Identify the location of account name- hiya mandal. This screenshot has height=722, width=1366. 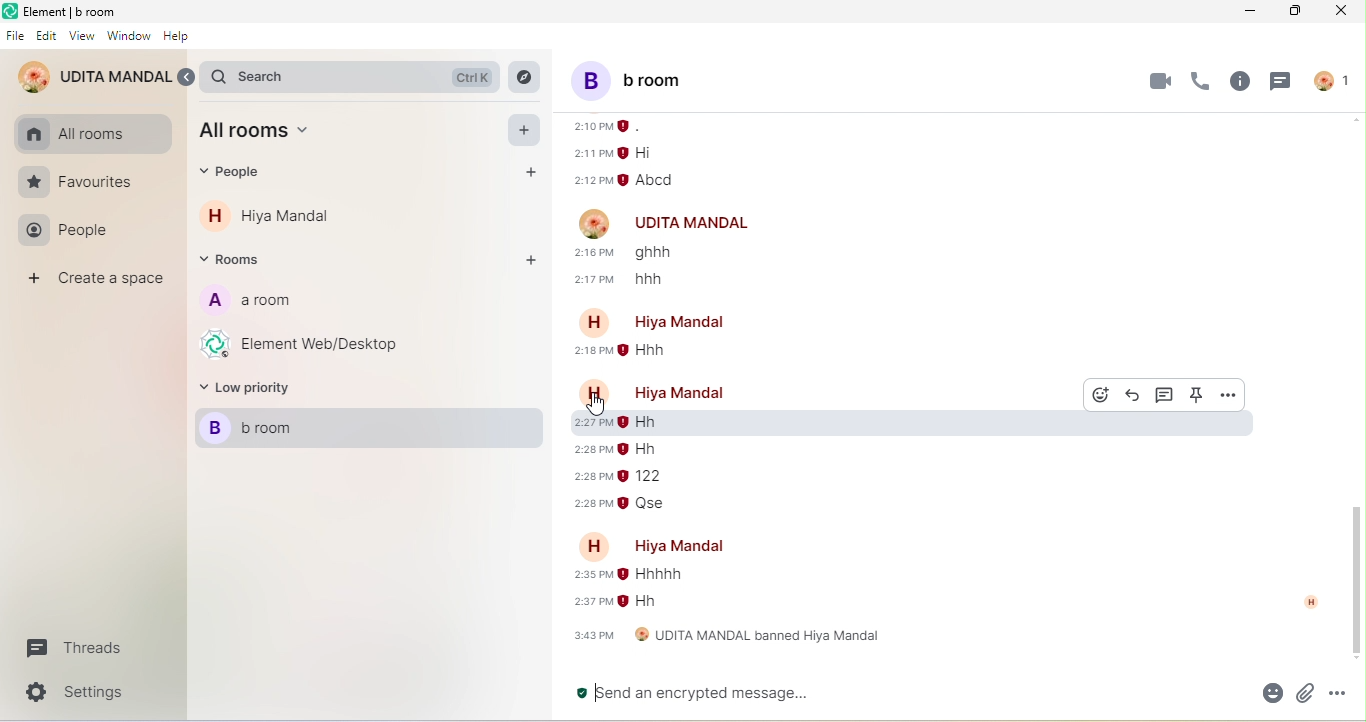
(649, 388).